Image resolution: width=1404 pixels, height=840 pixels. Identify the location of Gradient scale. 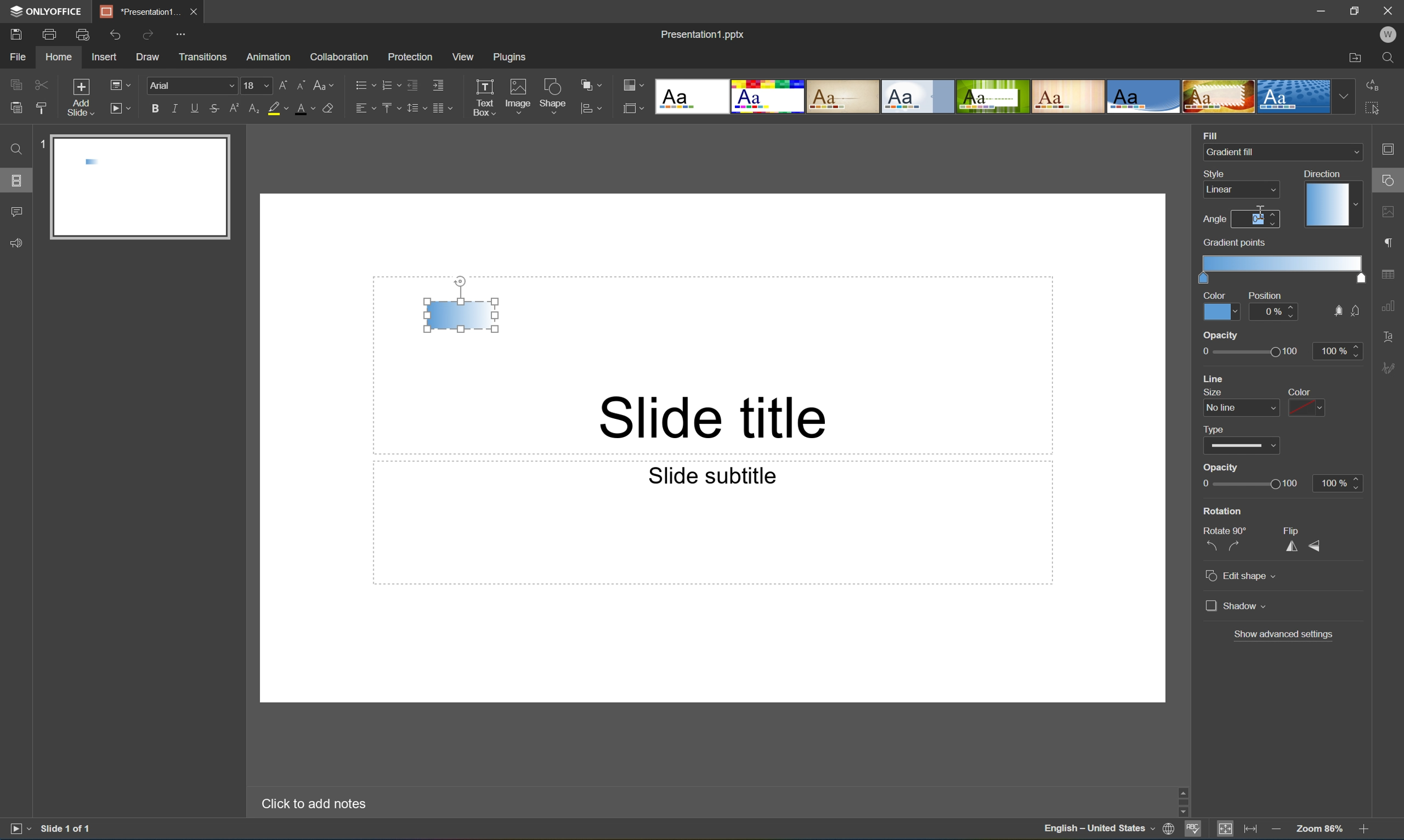
(1284, 263).